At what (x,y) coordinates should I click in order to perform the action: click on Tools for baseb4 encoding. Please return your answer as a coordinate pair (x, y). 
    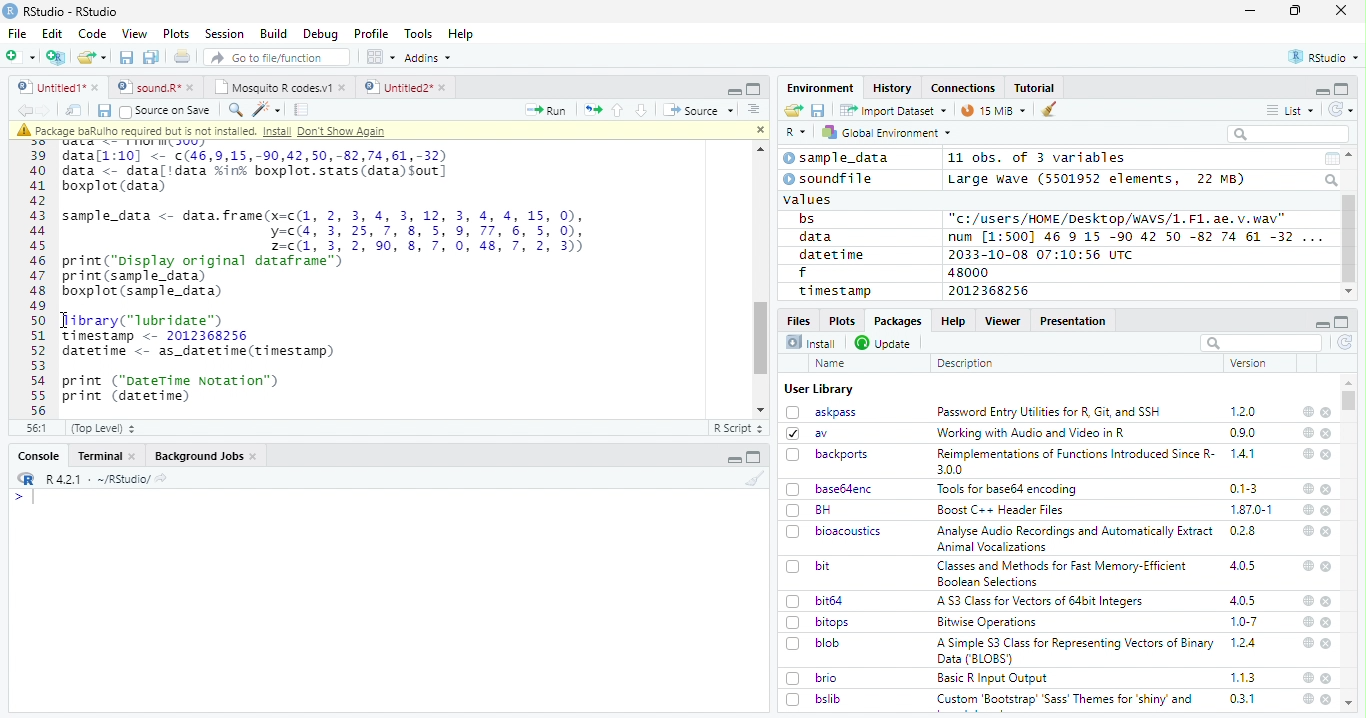
    Looking at the image, I should click on (1009, 489).